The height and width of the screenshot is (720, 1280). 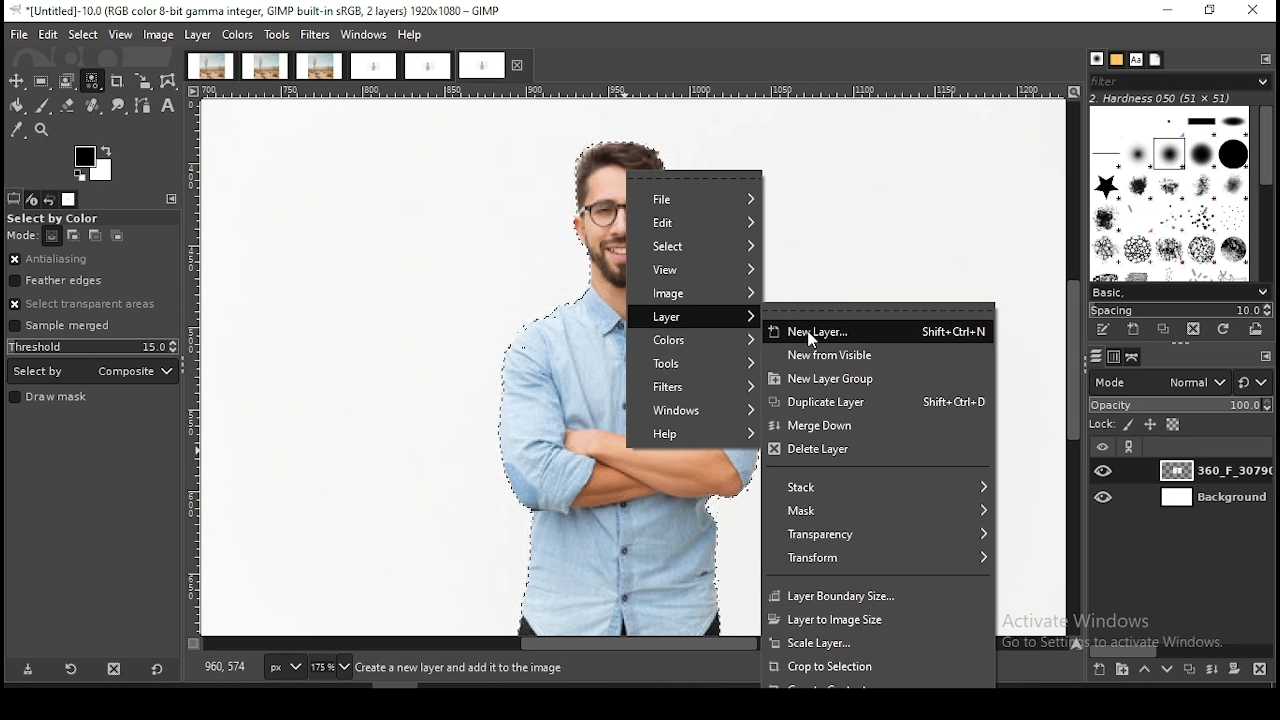 What do you see at coordinates (694, 199) in the screenshot?
I see `file` at bounding box center [694, 199].